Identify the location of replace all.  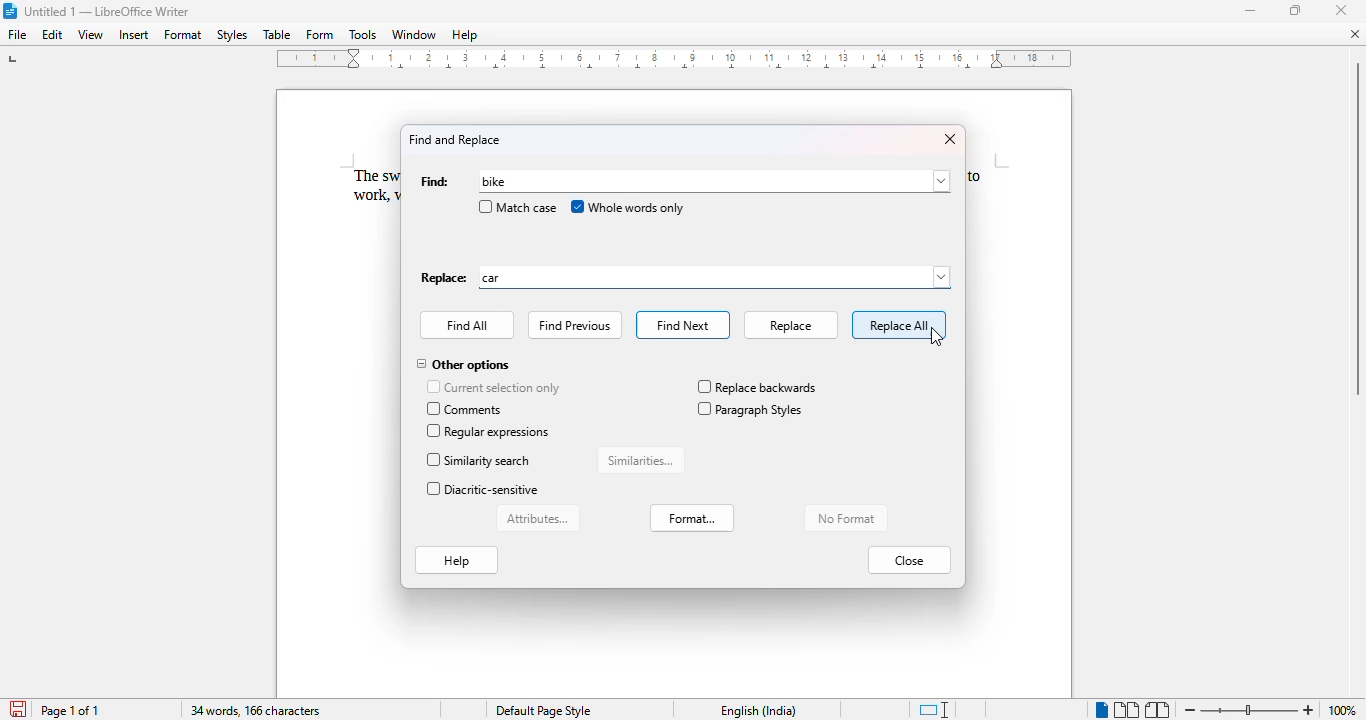
(900, 325).